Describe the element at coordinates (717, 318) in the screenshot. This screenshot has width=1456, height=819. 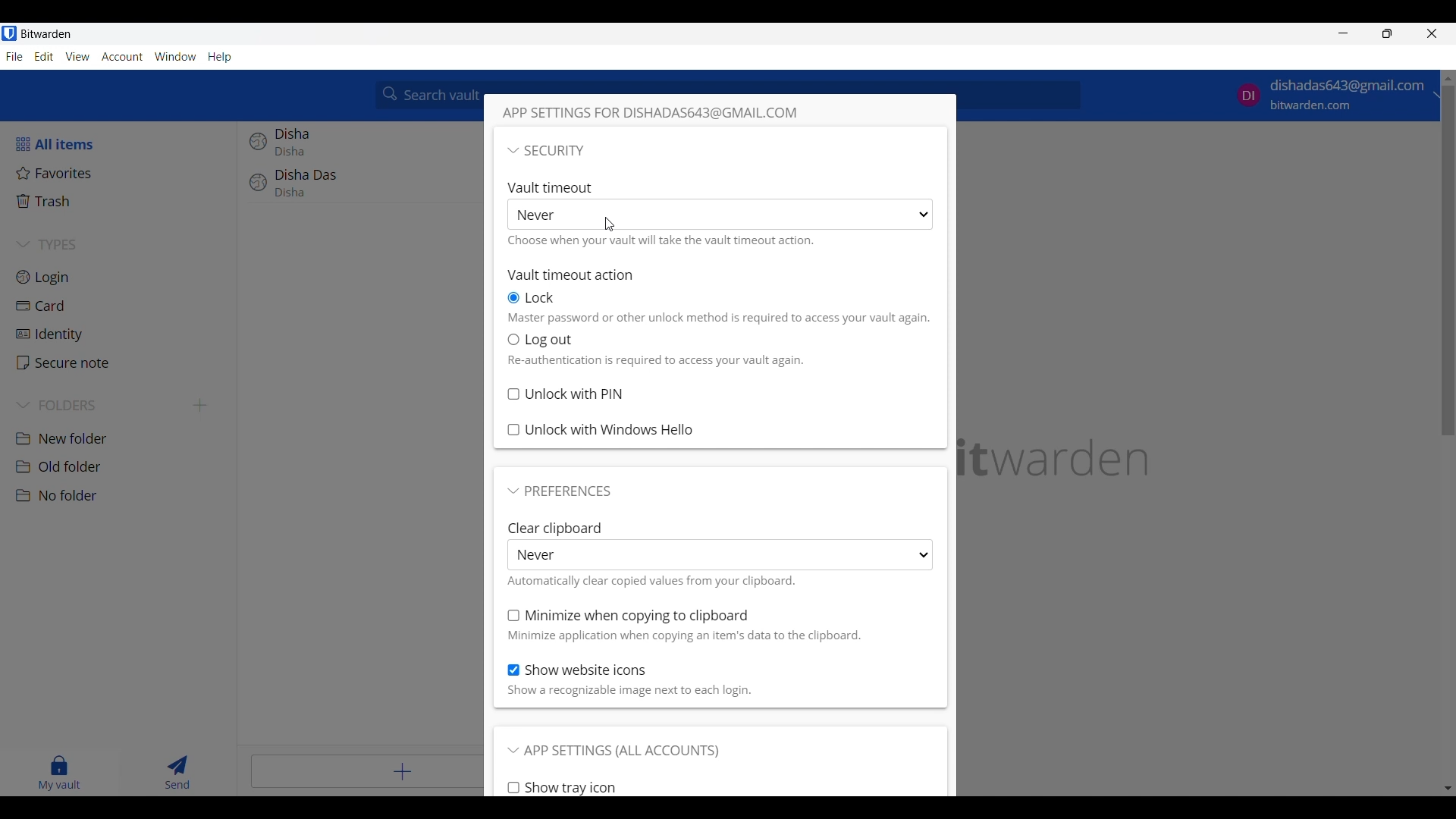
I see `Description of action` at that location.